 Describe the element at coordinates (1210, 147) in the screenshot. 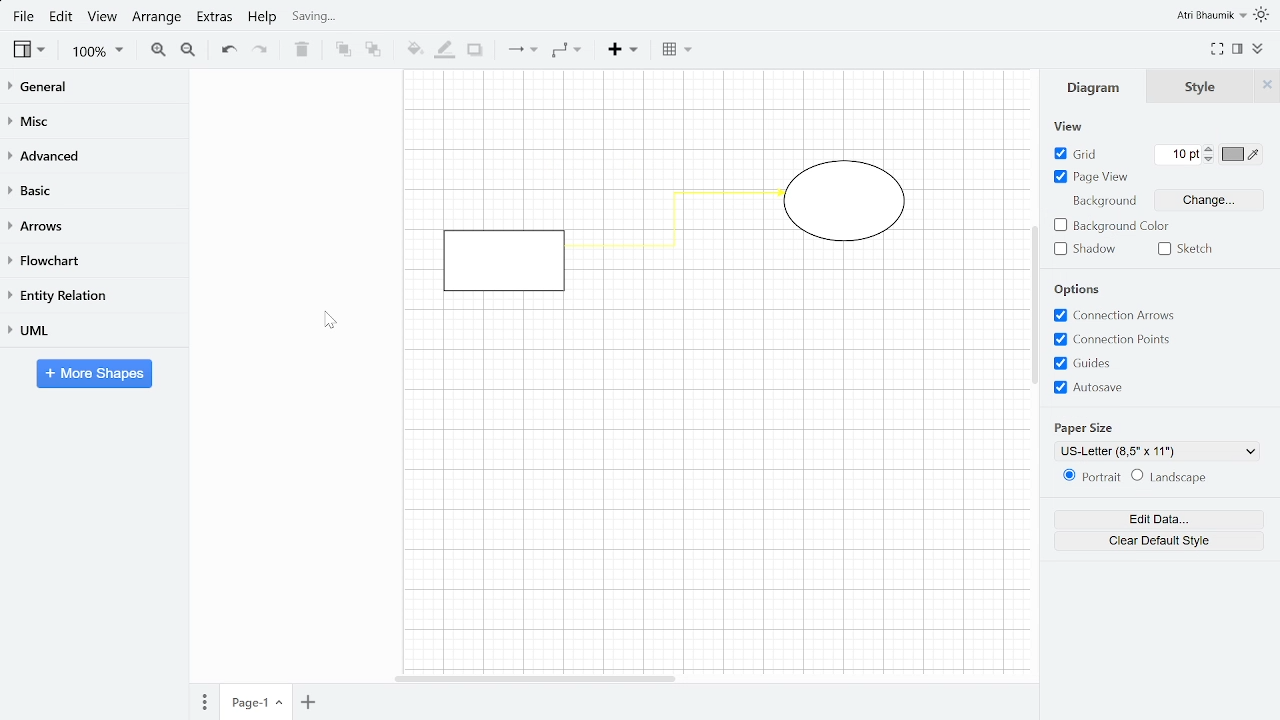

I see `Increase grid pt` at that location.